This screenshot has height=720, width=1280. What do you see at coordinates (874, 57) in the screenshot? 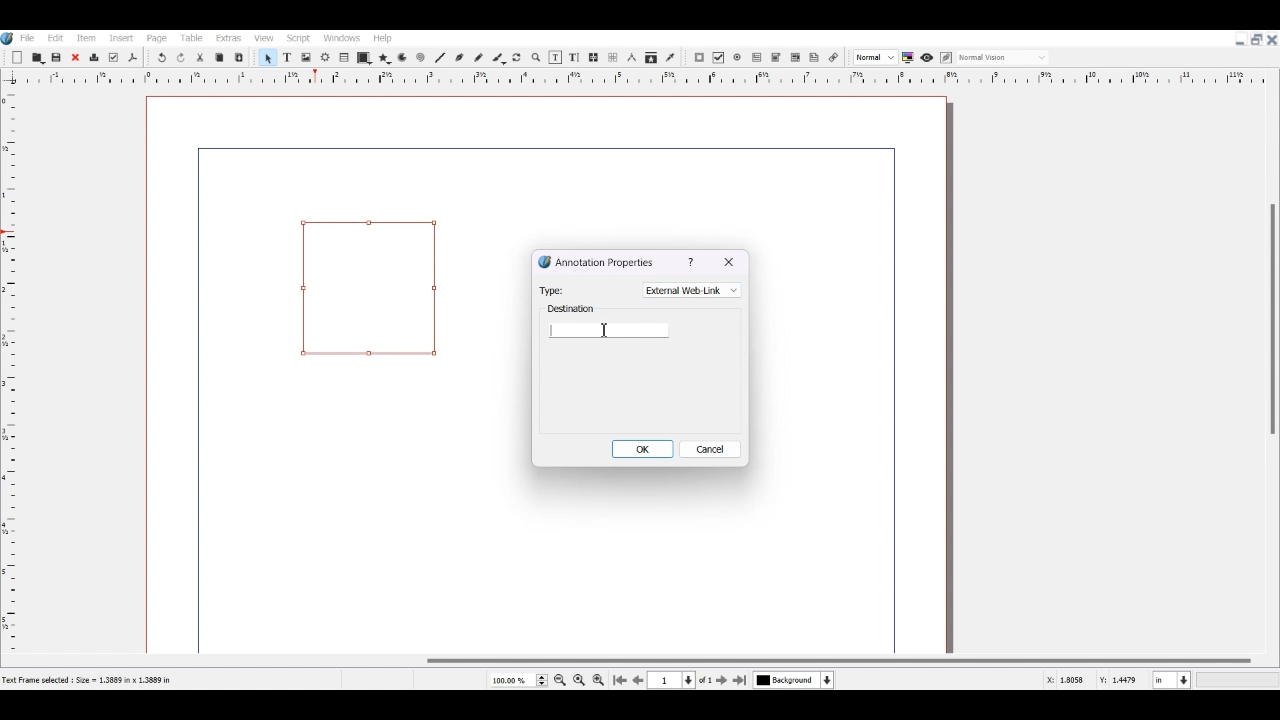
I see `Select the image preview quality` at bounding box center [874, 57].